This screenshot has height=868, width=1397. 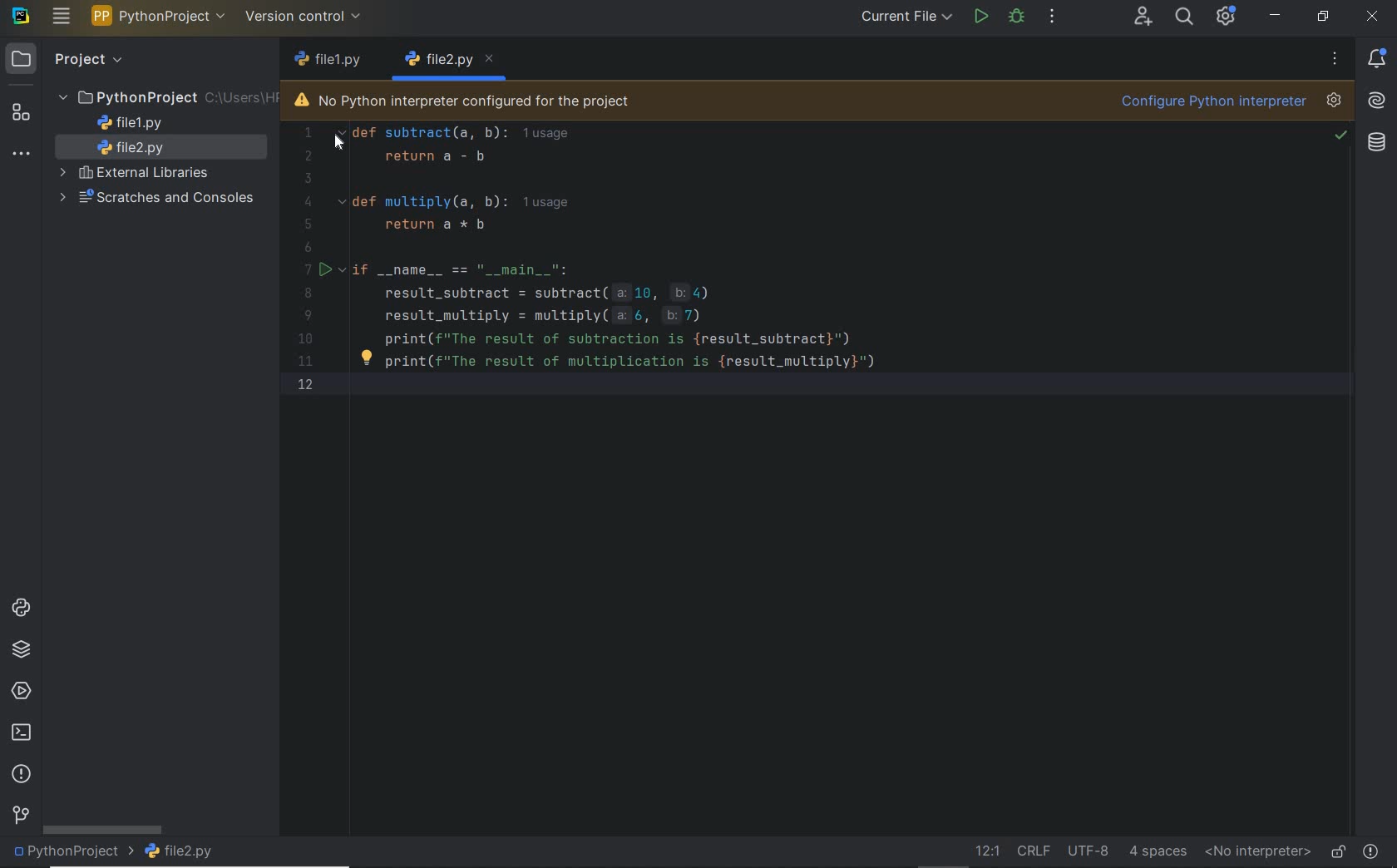 What do you see at coordinates (160, 16) in the screenshot?
I see `project name` at bounding box center [160, 16].